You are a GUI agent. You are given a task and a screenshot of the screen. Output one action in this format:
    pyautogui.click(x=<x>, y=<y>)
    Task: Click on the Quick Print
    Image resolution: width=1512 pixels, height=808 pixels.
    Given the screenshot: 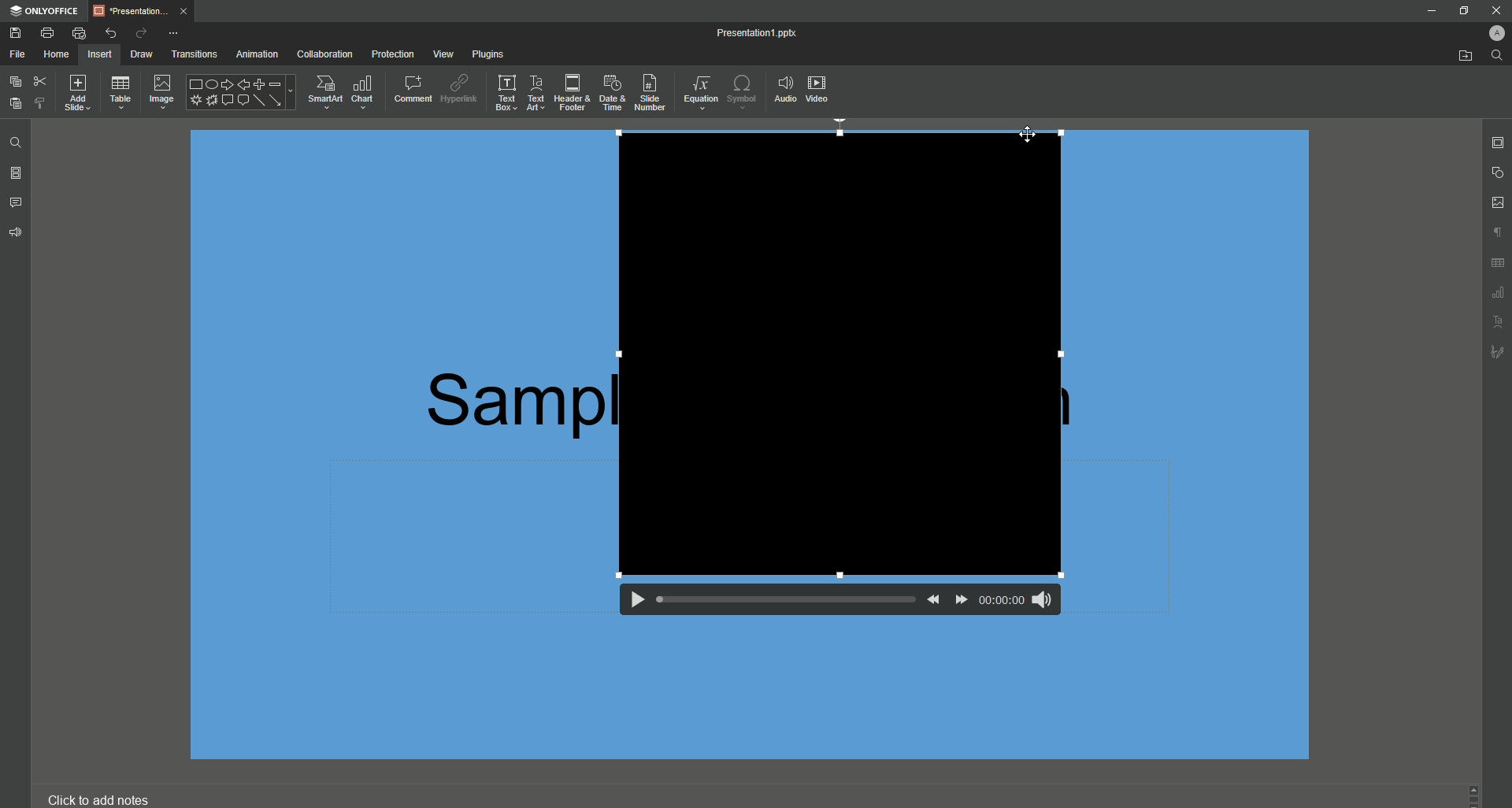 What is the action you would take?
    pyautogui.click(x=80, y=32)
    